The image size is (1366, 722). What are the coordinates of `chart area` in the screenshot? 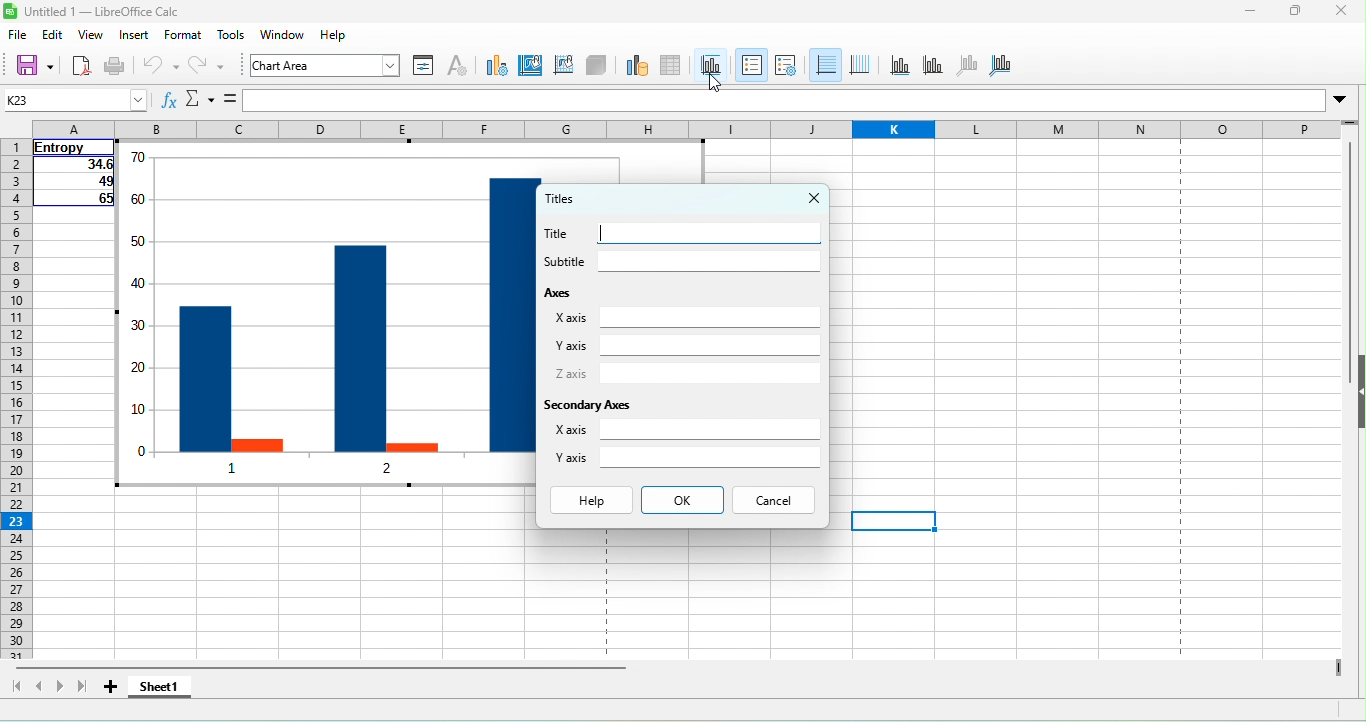 It's located at (532, 68).